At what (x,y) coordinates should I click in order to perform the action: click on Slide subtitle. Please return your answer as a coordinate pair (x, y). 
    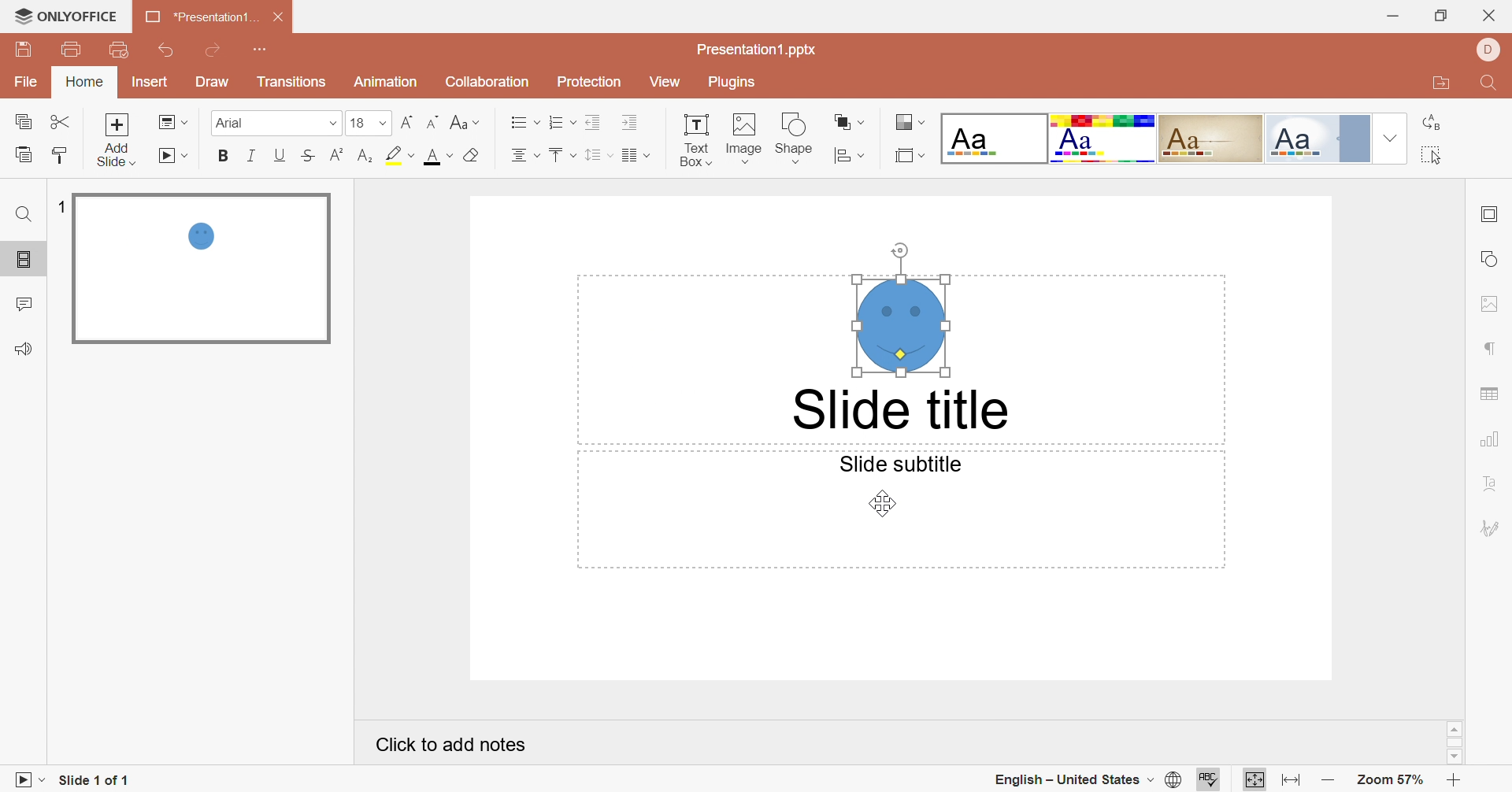
    Looking at the image, I should click on (900, 464).